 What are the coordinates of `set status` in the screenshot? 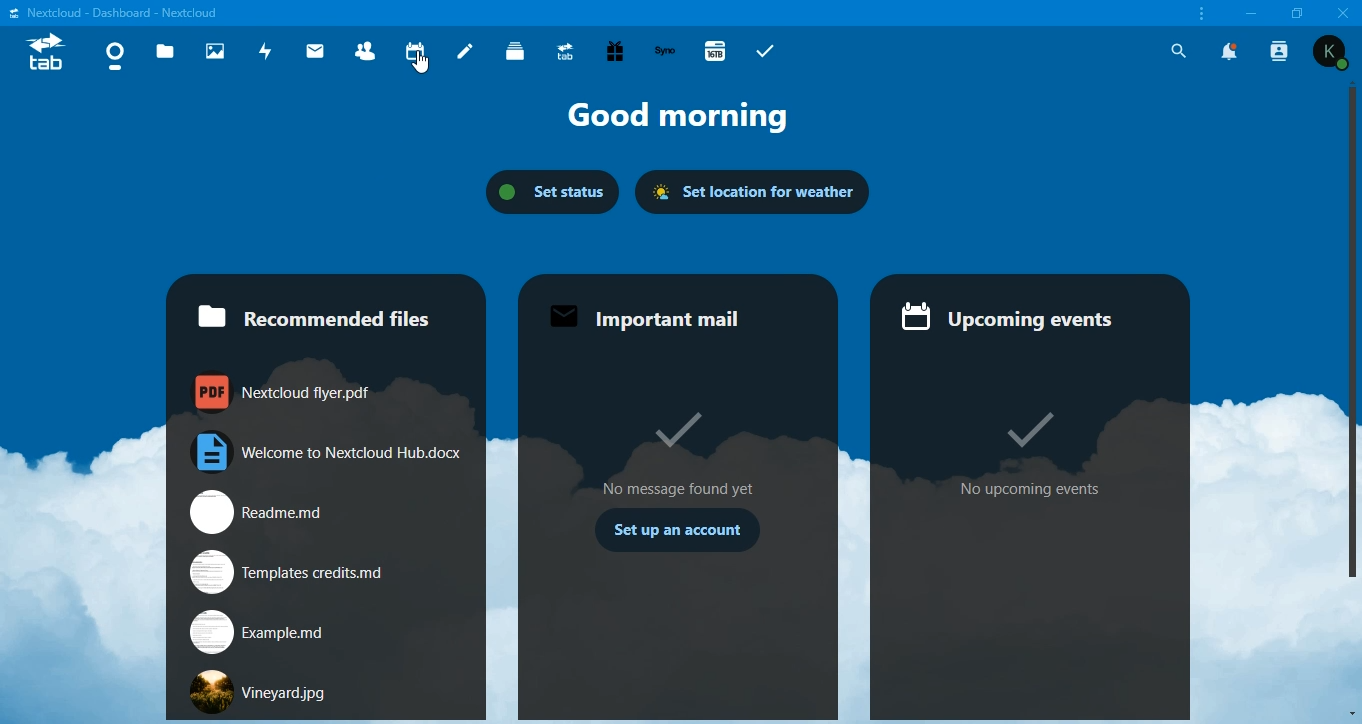 It's located at (553, 192).